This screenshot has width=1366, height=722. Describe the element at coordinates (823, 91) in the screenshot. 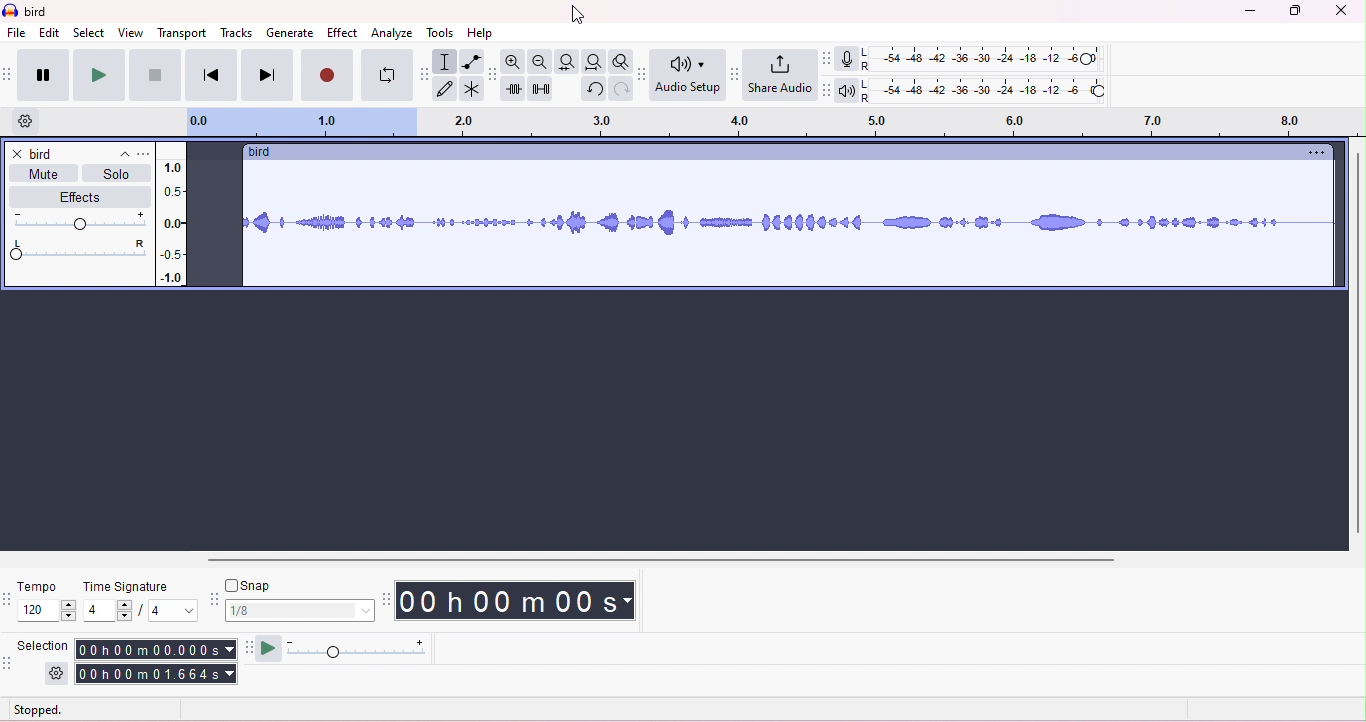

I see `playback meter tool bar` at that location.